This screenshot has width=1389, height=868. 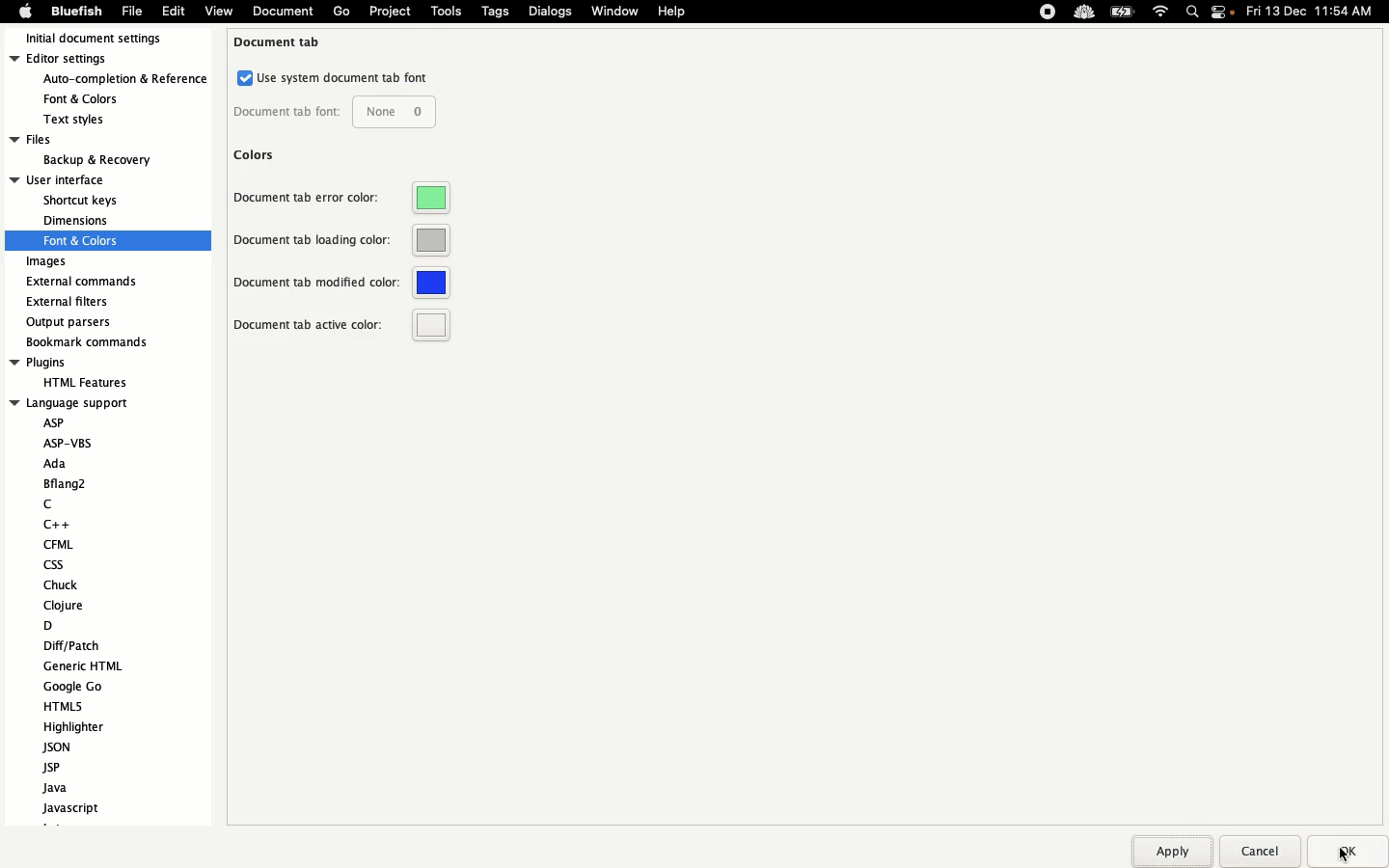 What do you see at coordinates (25, 11) in the screenshot?
I see `Apple logo` at bounding box center [25, 11].